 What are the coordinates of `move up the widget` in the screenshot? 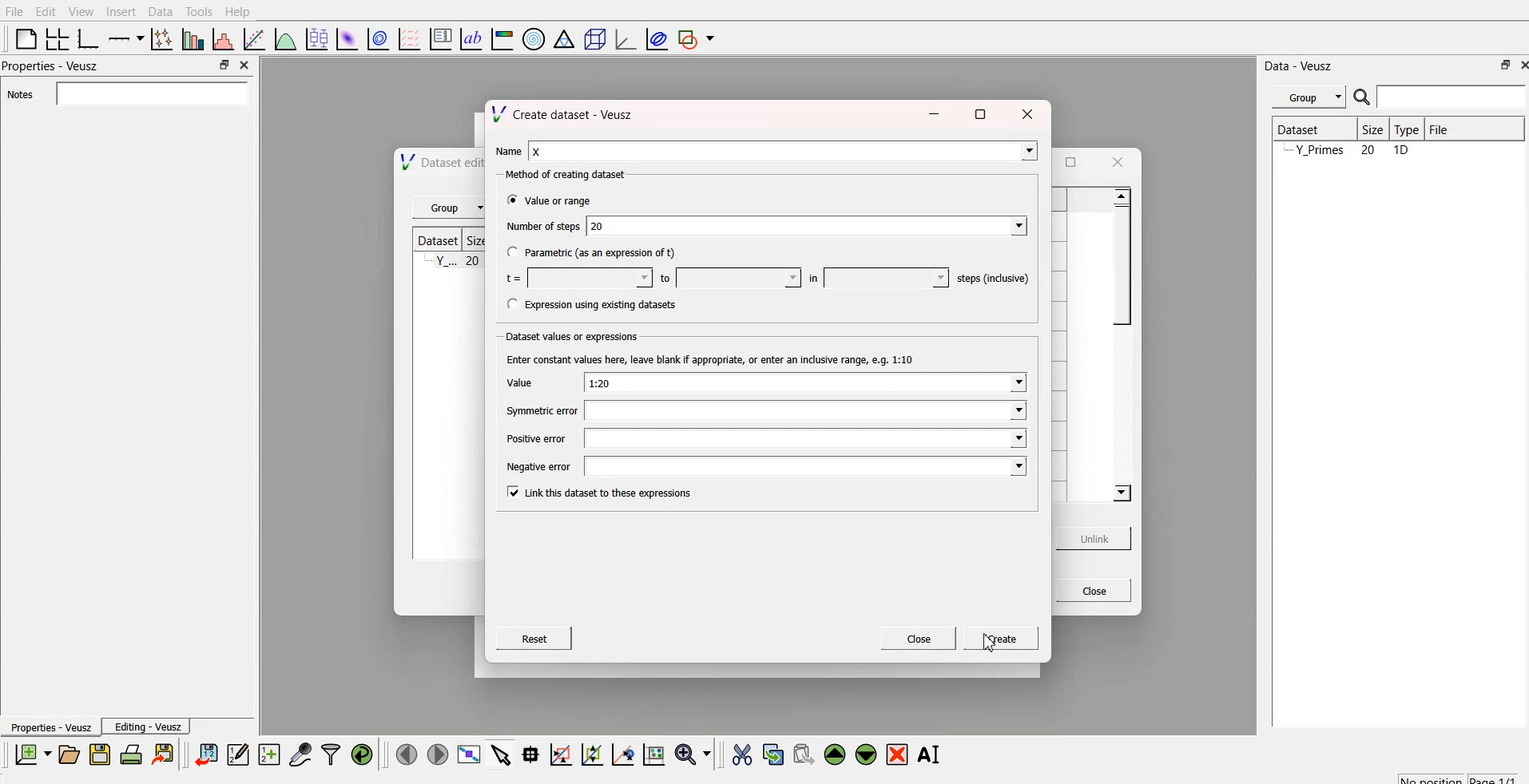 It's located at (833, 754).